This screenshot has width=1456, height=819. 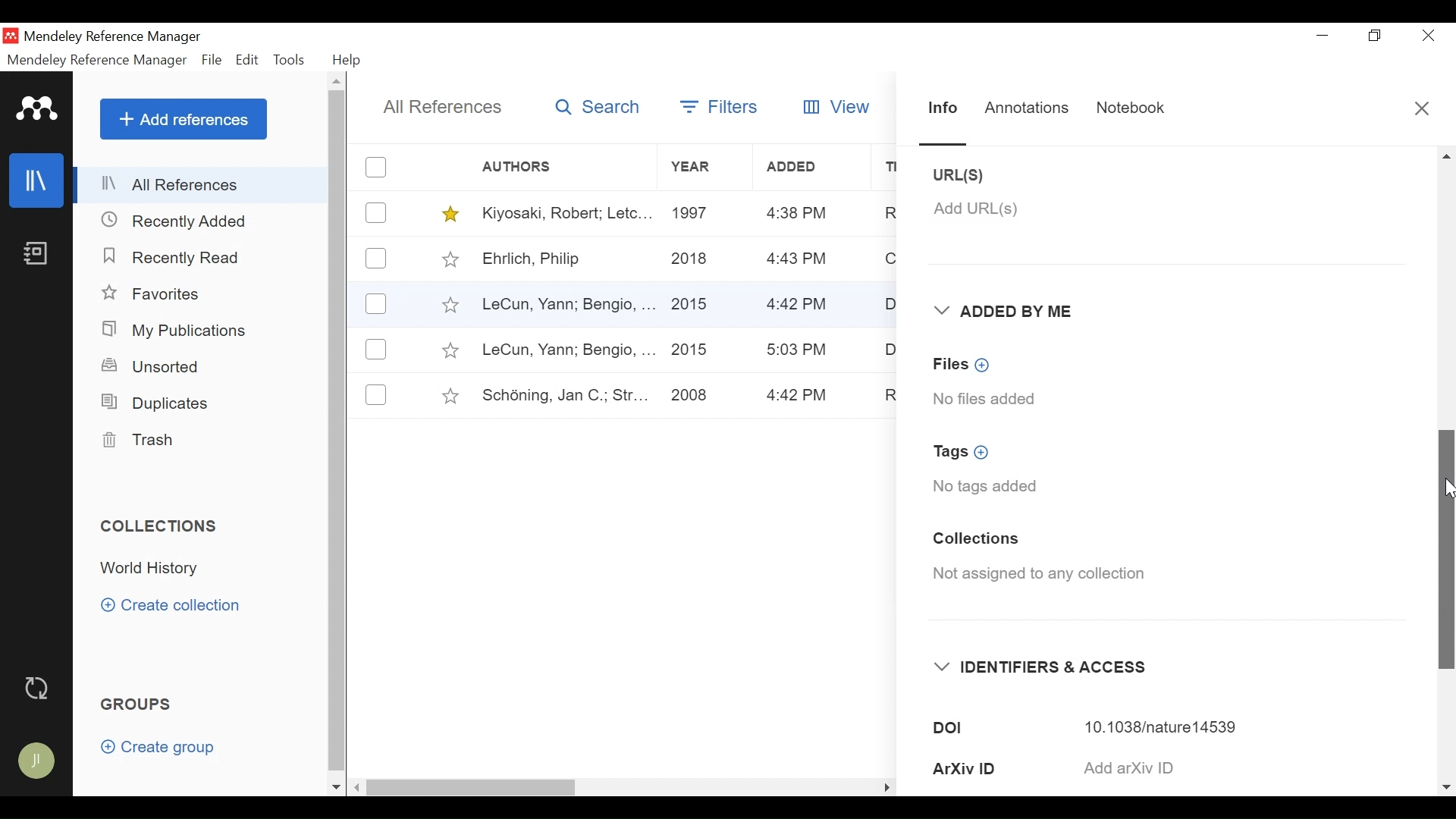 What do you see at coordinates (40, 689) in the screenshot?
I see `Sync` at bounding box center [40, 689].